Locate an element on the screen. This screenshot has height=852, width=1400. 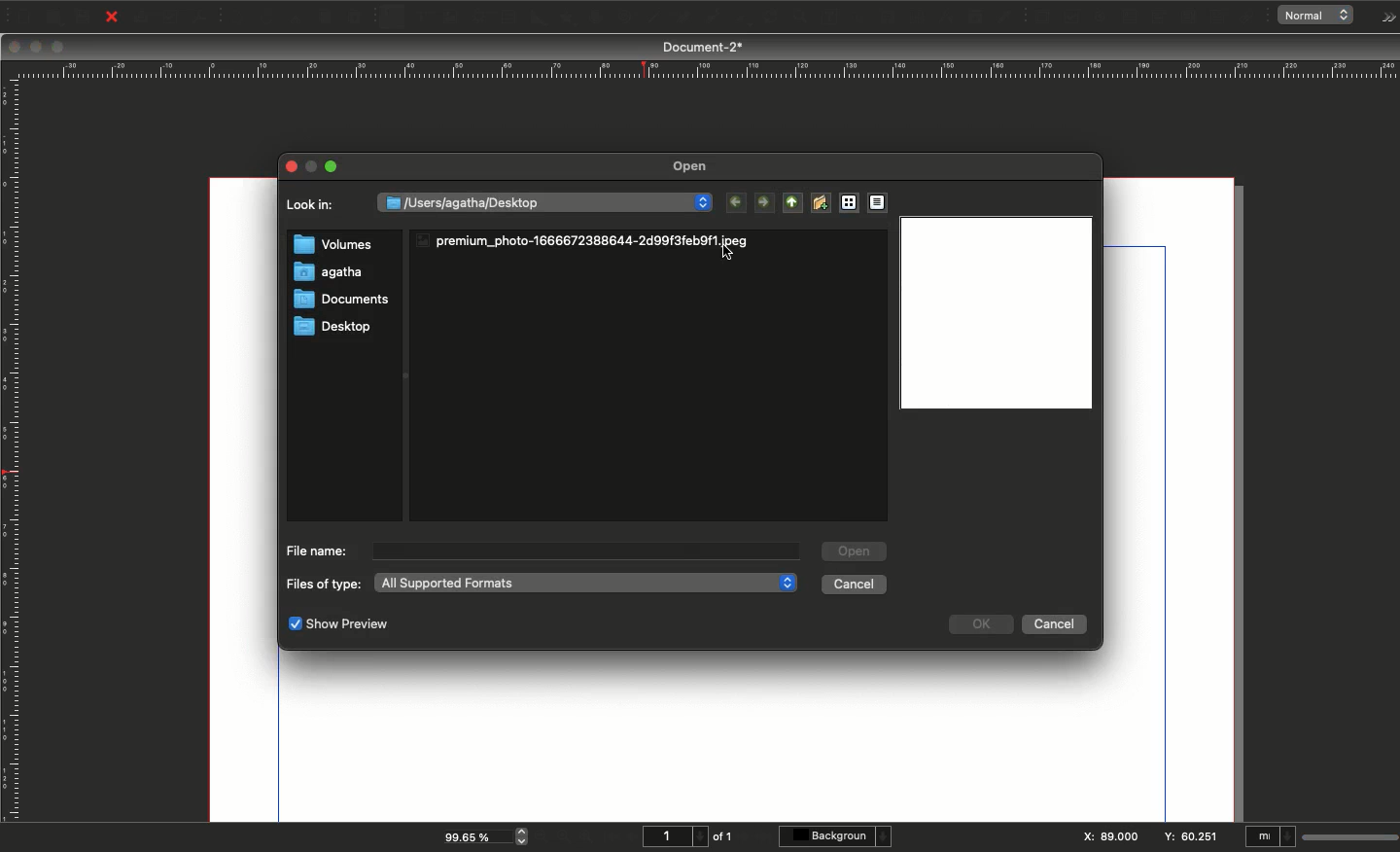
Grid is located at coordinates (848, 203).